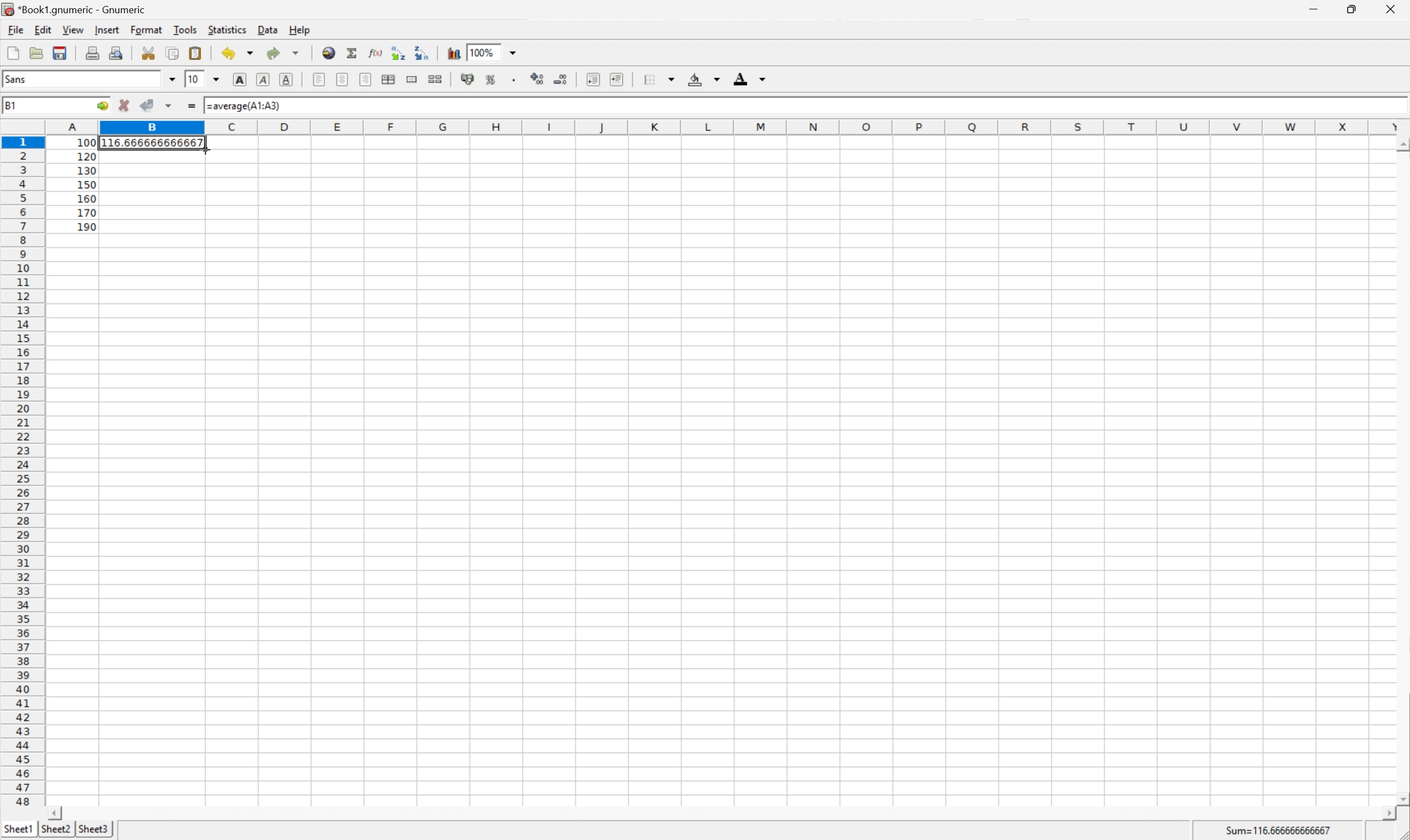  What do you see at coordinates (86, 183) in the screenshot?
I see `150` at bounding box center [86, 183].